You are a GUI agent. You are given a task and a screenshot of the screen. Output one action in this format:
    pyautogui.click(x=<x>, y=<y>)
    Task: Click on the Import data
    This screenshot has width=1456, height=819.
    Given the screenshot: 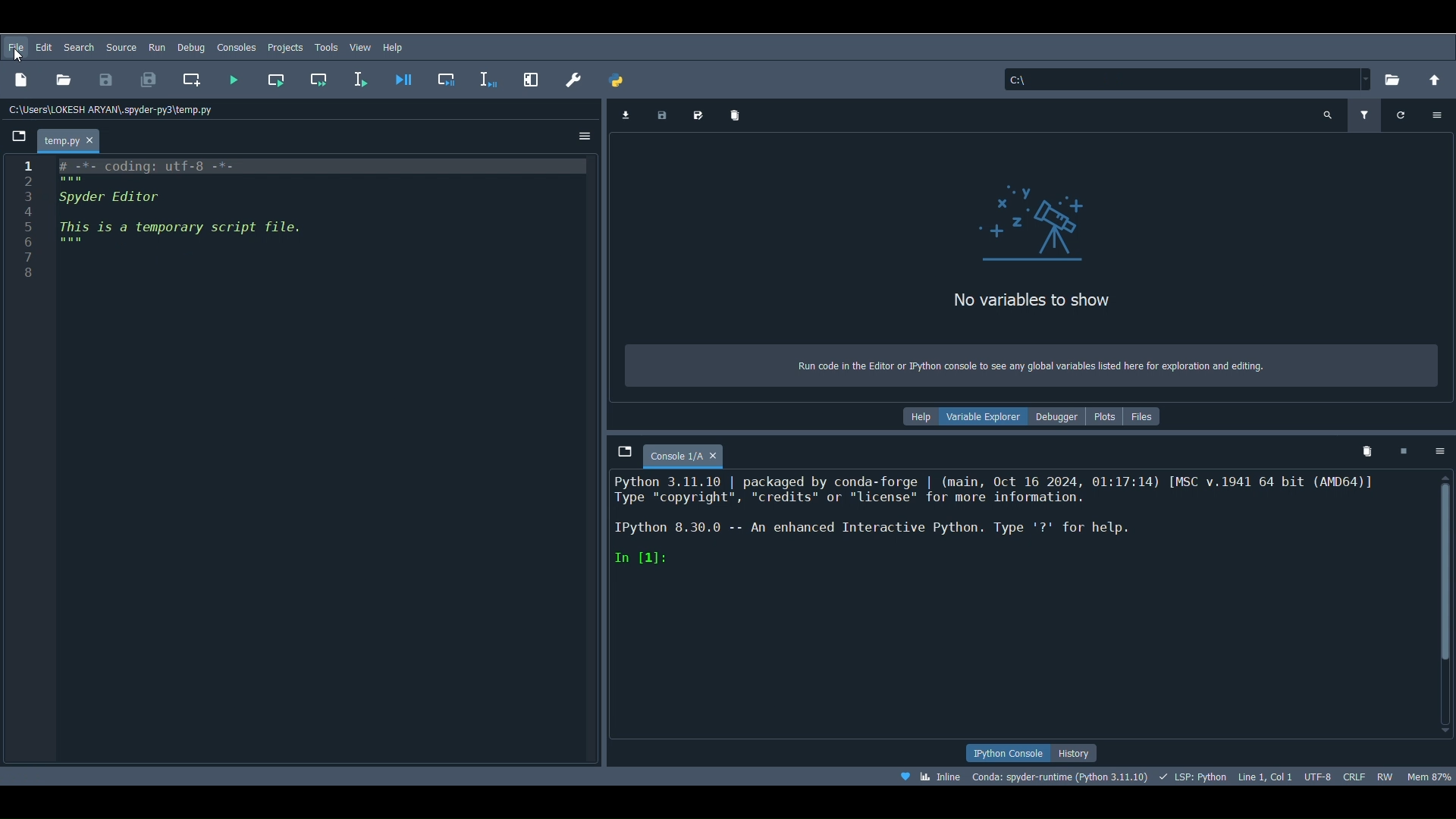 What is the action you would take?
    pyautogui.click(x=624, y=114)
    